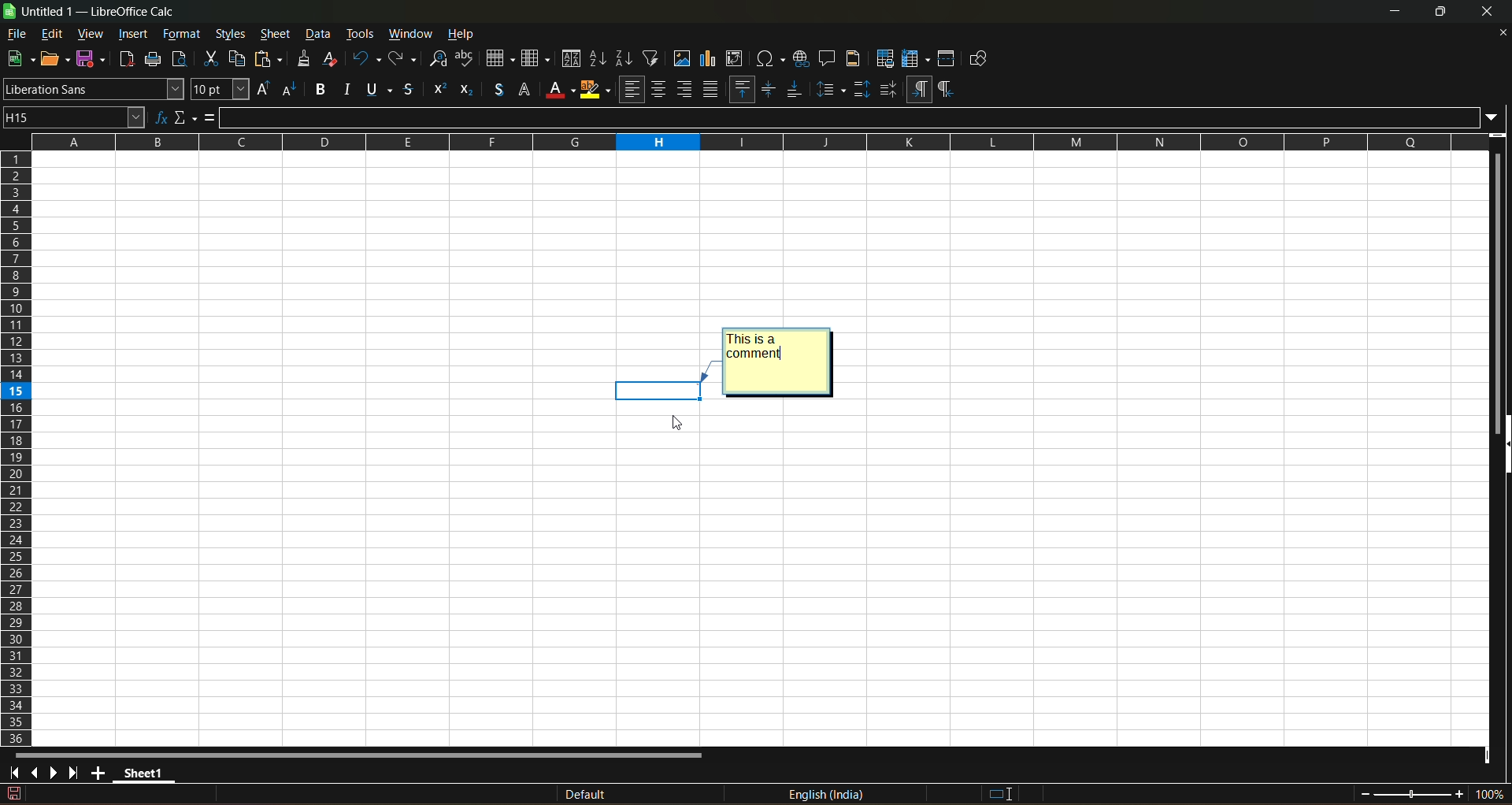 This screenshot has width=1512, height=805. Describe the element at coordinates (829, 793) in the screenshot. I see `text language` at that location.